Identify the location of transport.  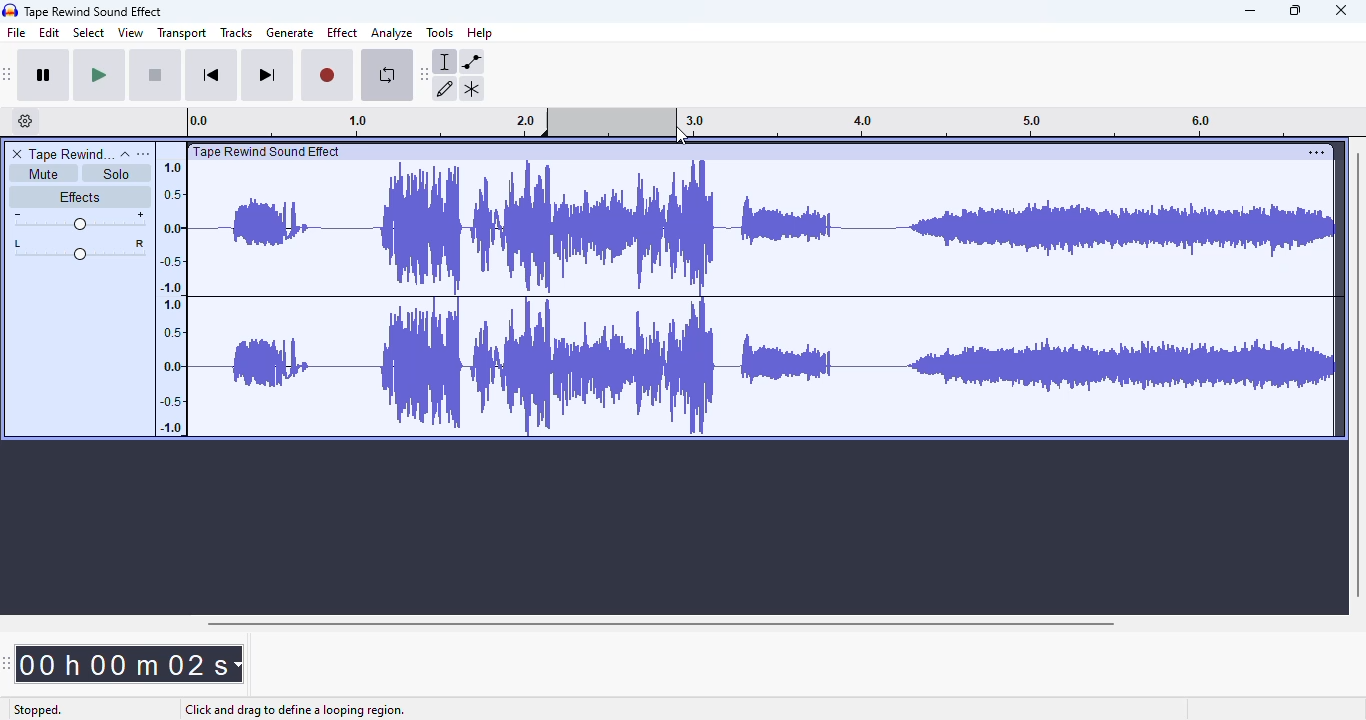
(181, 34).